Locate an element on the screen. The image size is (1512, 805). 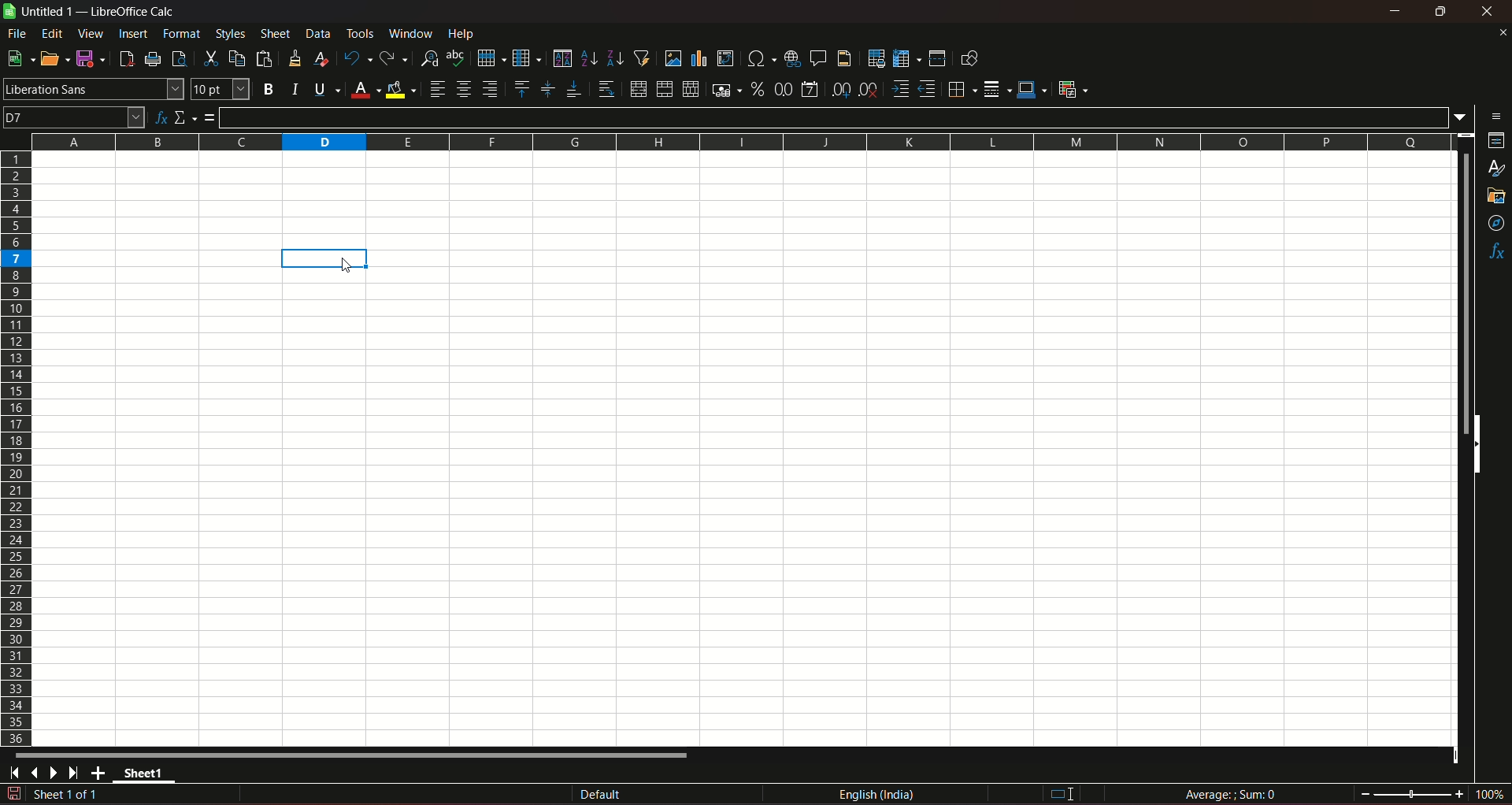
view is located at coordinates (91, 34).